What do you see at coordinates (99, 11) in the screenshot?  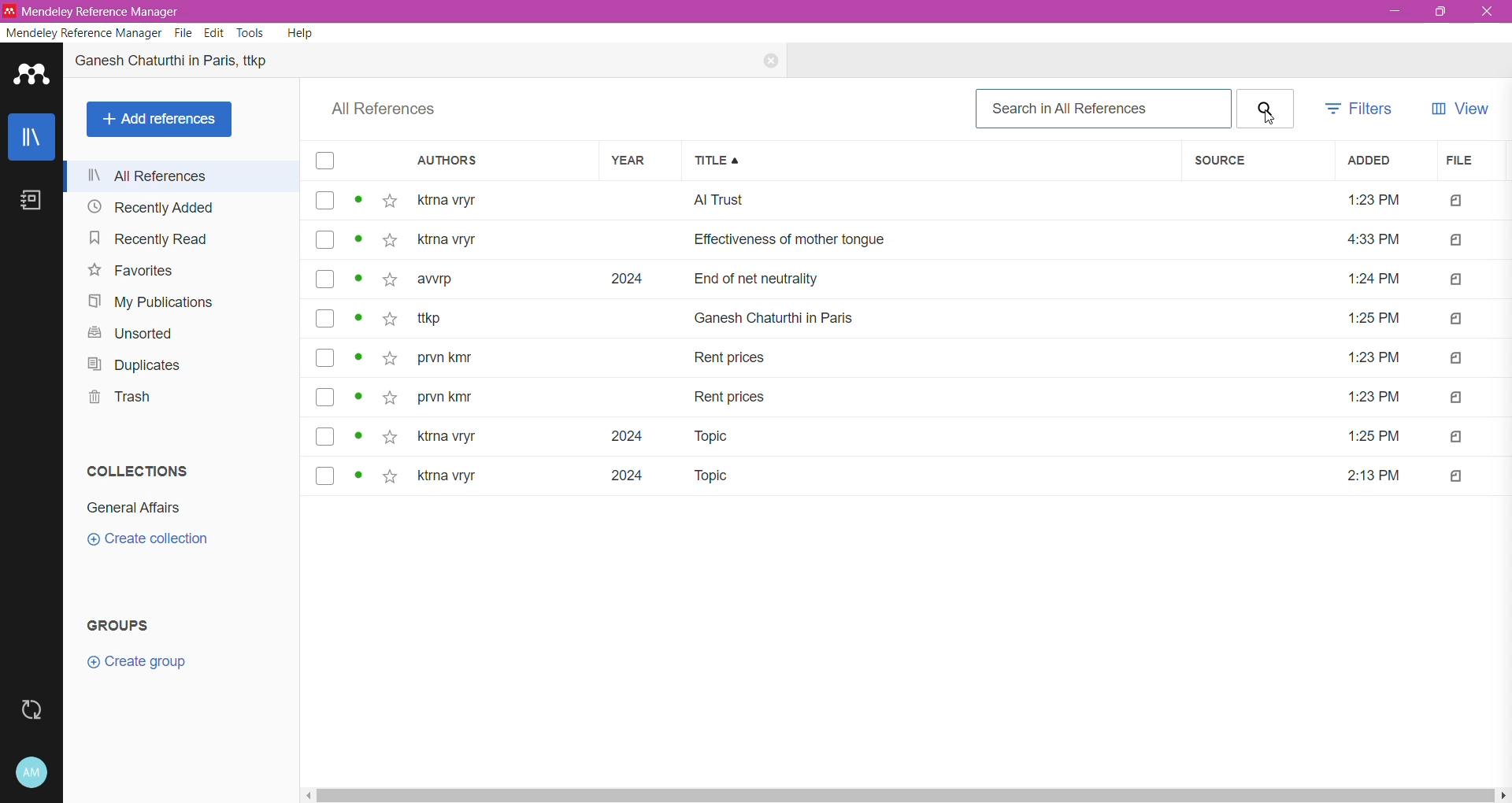 I see `_ Mendeley Reference Manager` at bounding box center [99, 11].